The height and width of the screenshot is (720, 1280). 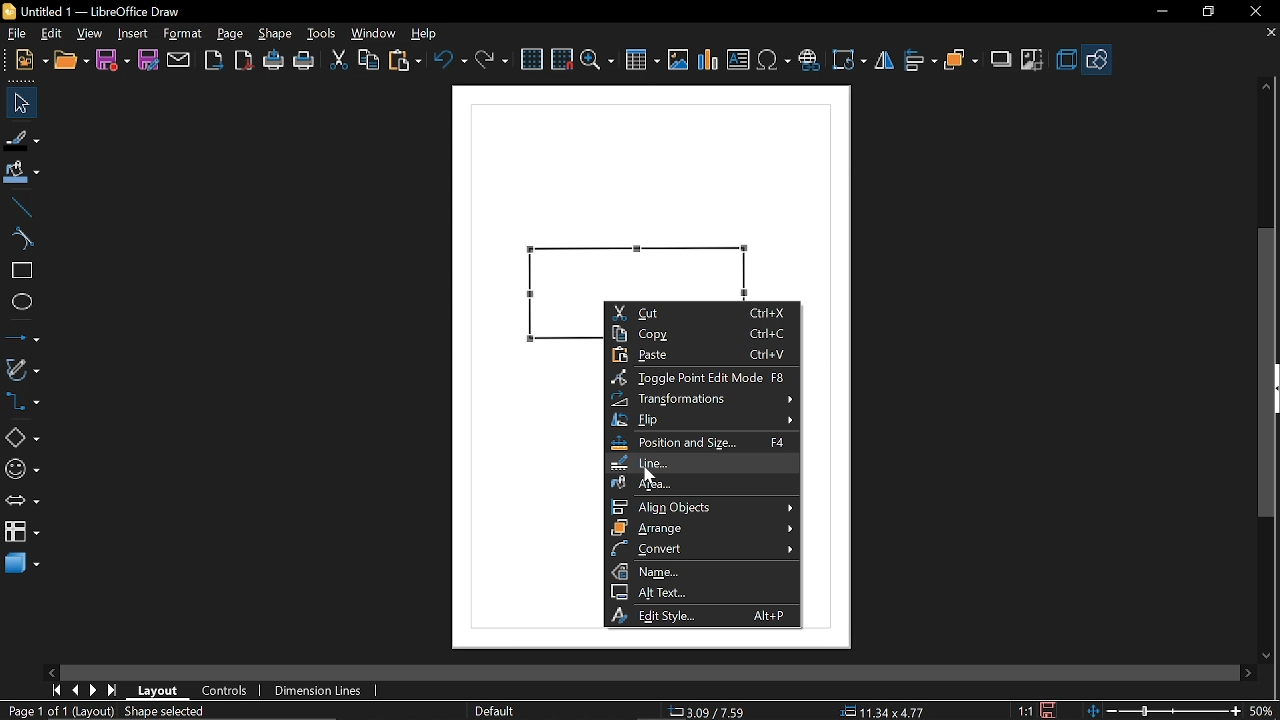 What do you see at coordinates (1026, 711) in the screenshot?
I see `Scaling factor (1:1)` at bounding box center [1026, 711].